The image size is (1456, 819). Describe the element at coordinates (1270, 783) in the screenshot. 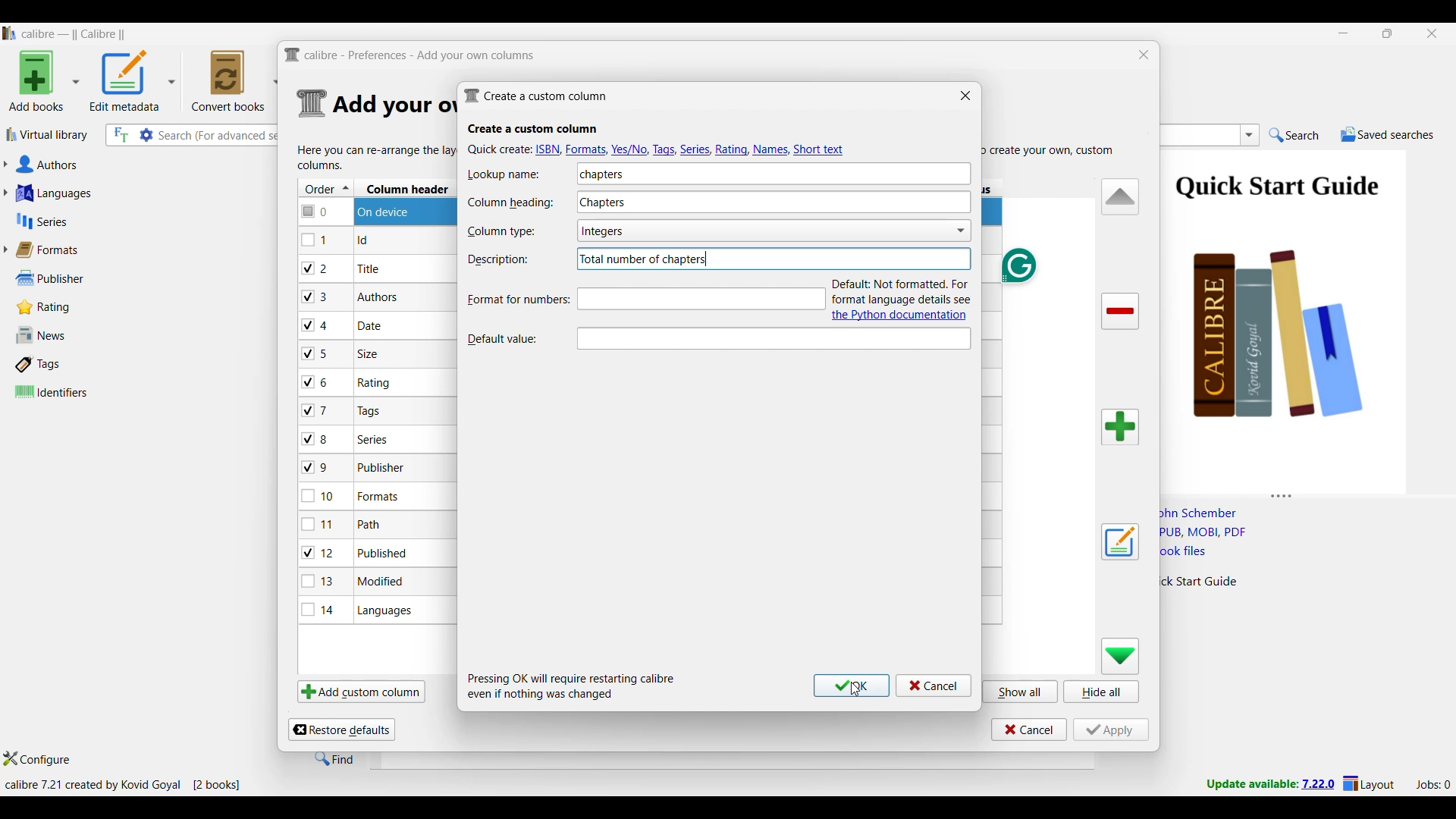

I see `New version update notifcation` at that location.